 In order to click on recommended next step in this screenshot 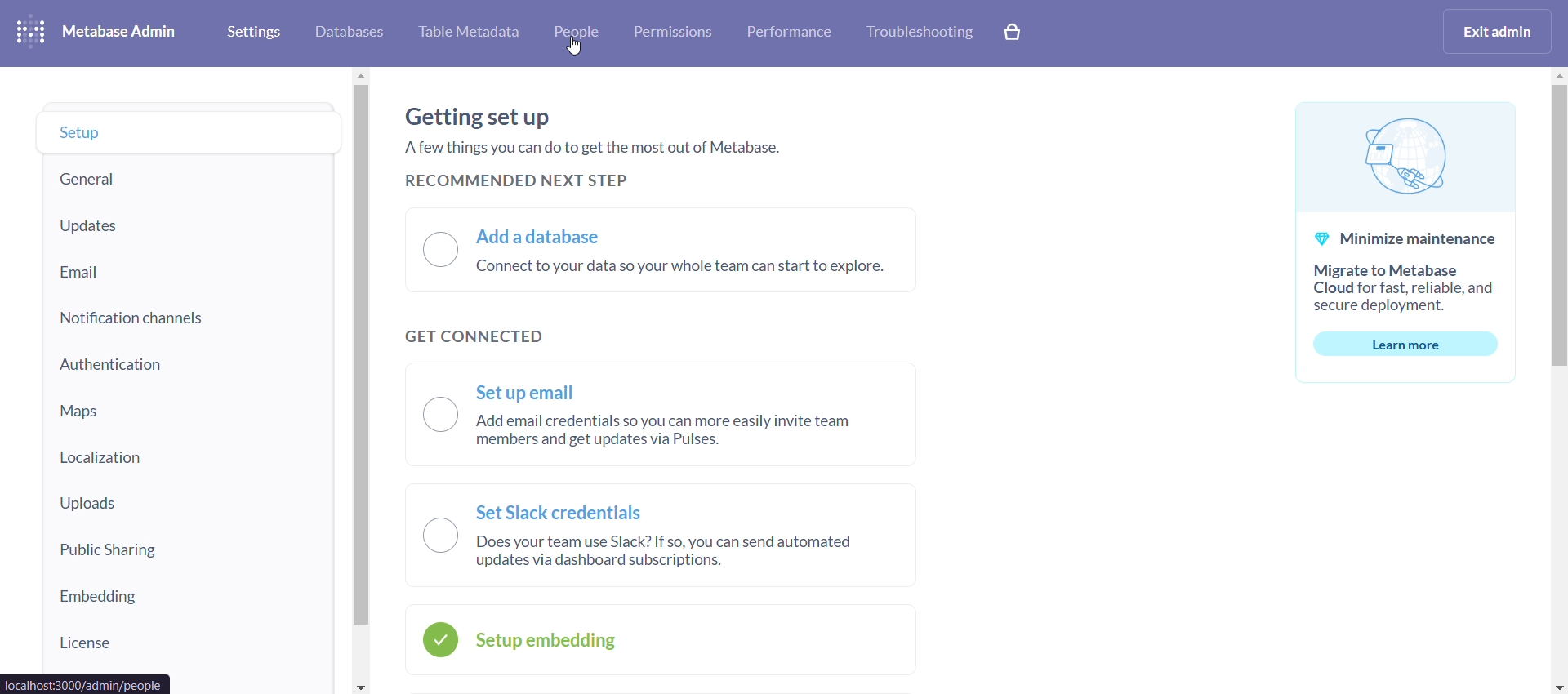, I will do `click(521, 181)`.